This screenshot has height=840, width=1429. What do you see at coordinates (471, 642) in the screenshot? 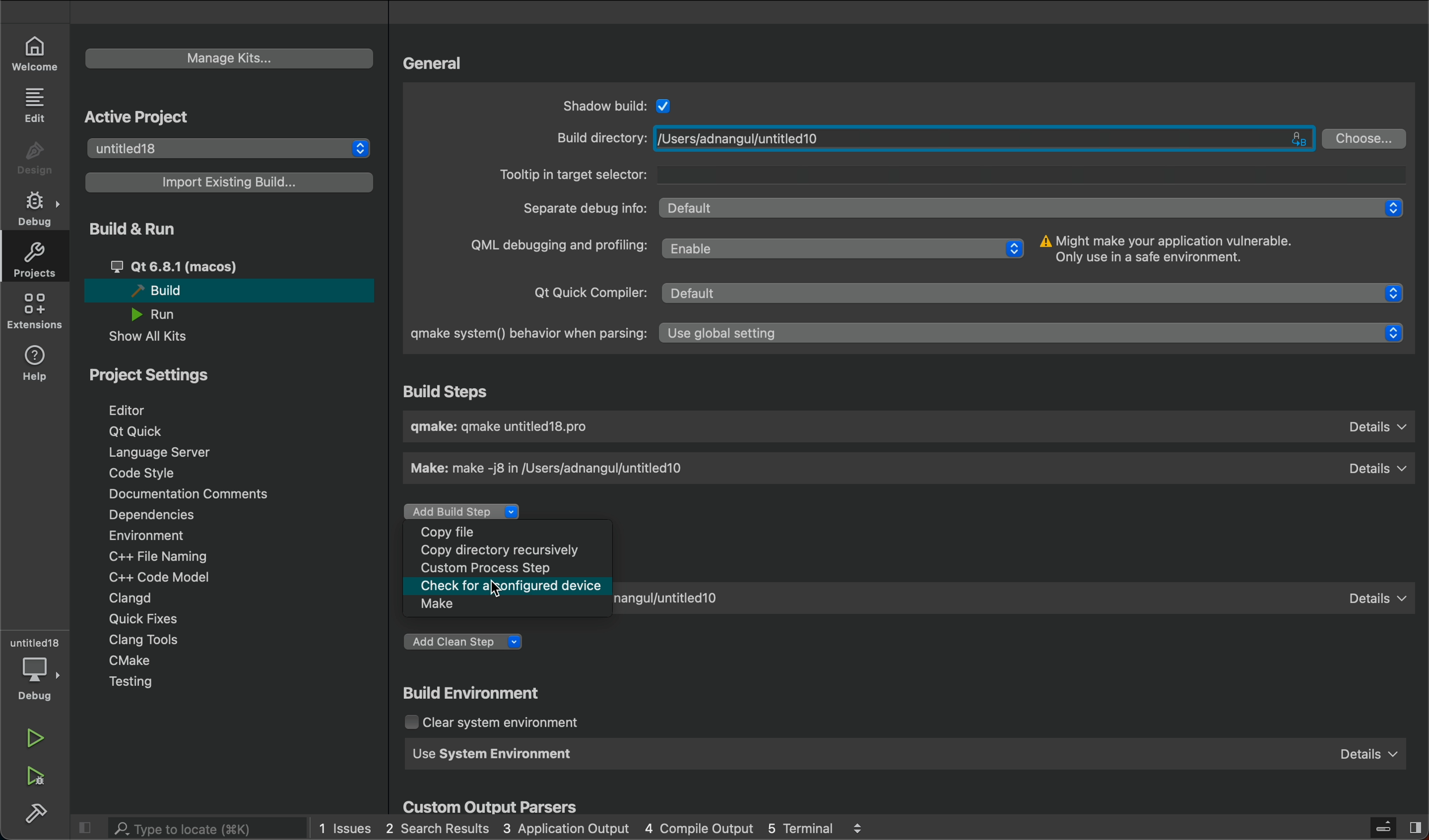
I see `add clean step` at bounding box center [471, 642].